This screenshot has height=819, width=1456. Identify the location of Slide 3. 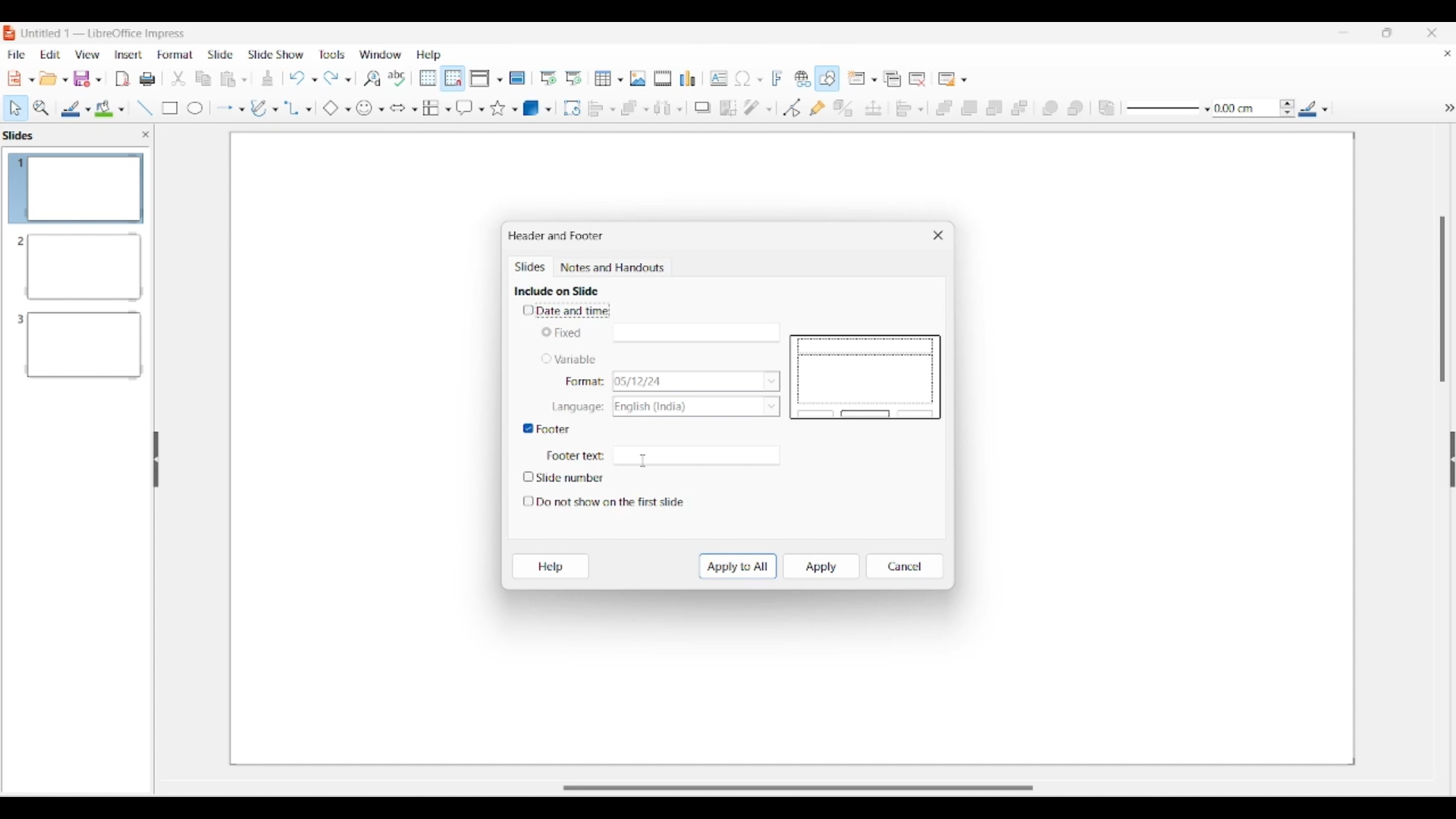
(76, 344).